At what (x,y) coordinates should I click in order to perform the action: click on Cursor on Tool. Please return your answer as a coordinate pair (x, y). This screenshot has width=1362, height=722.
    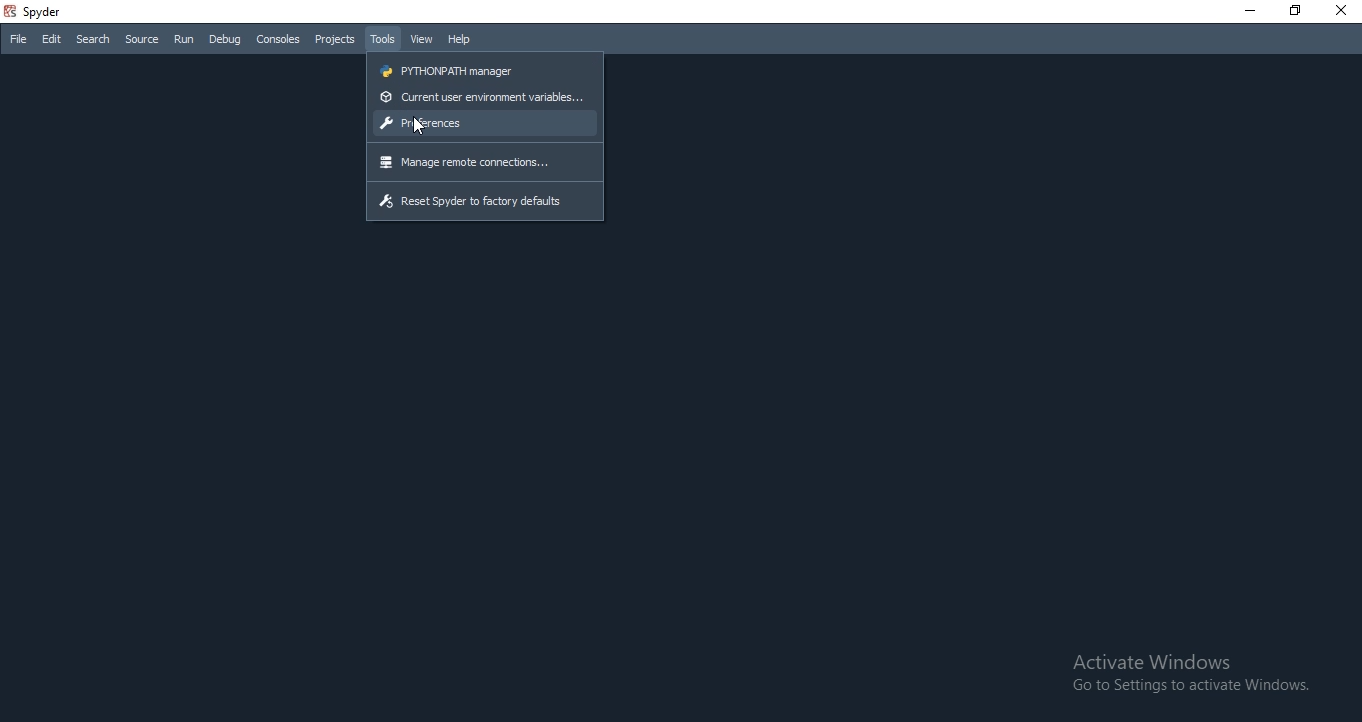
    Looking at the image, I should click on (417, 127).